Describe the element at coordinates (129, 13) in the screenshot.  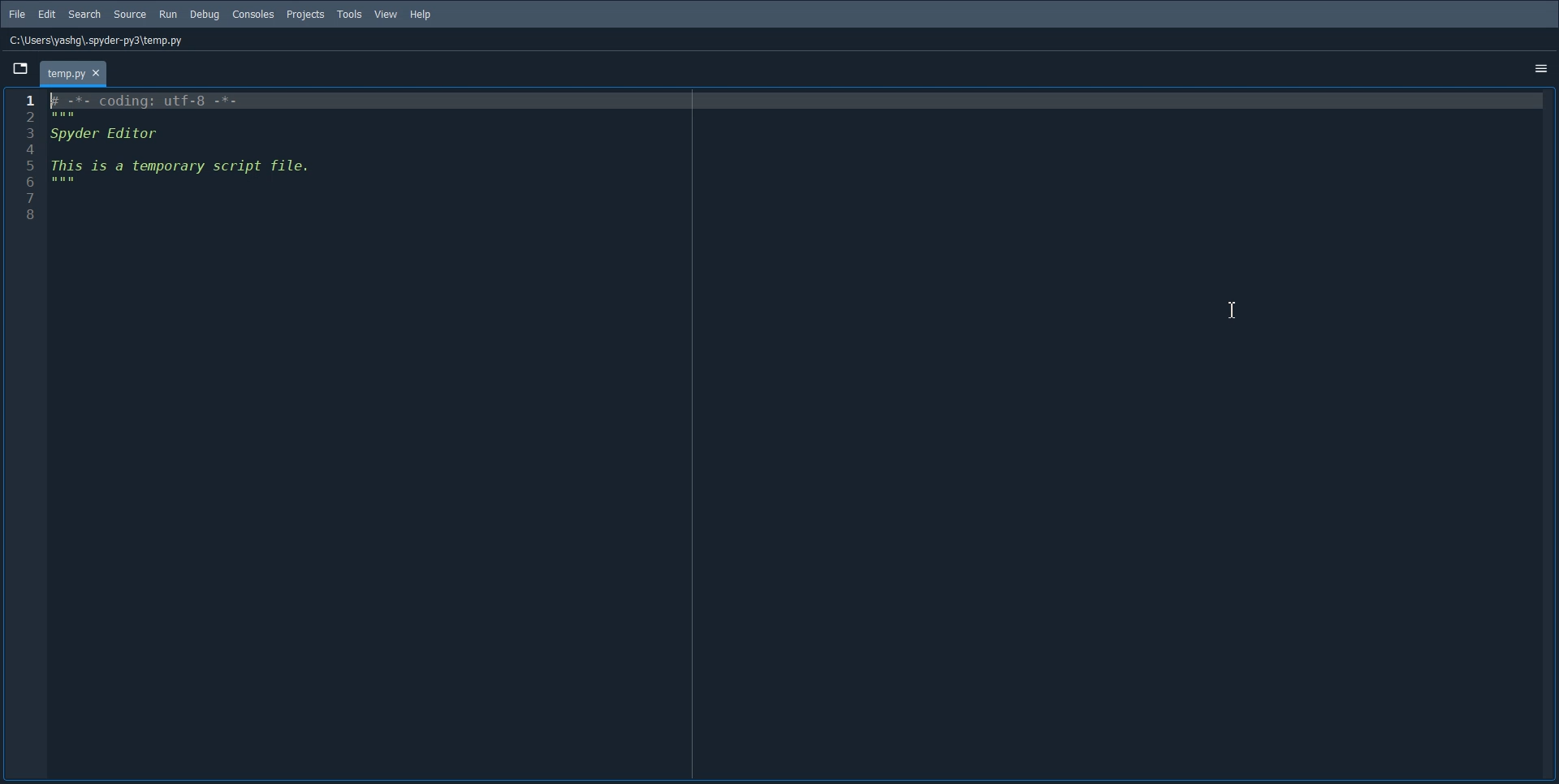
I see `Source` at that location.